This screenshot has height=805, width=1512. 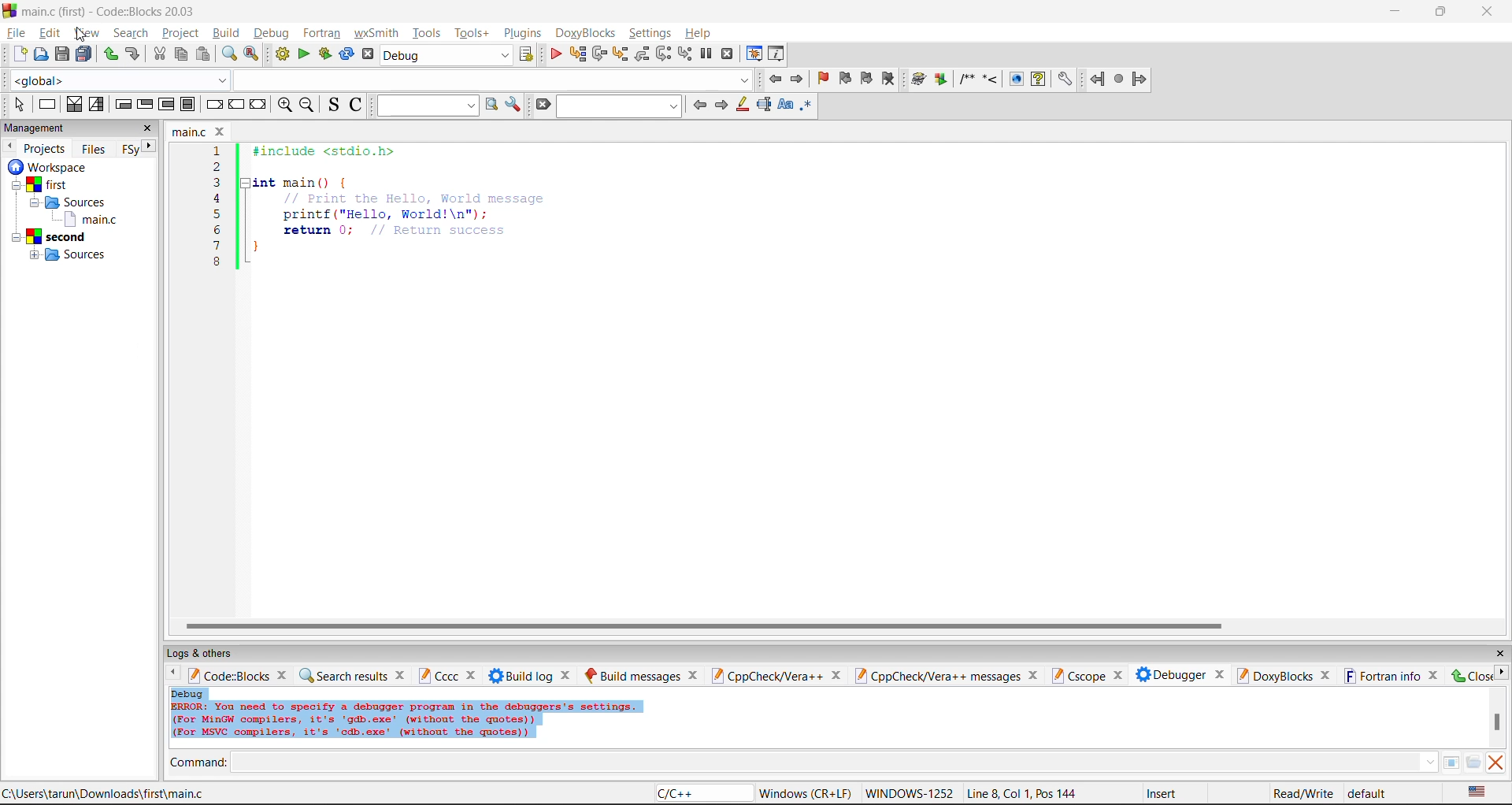 What do you see at coordinates (1014, 80) in the screenshot?
I see `web` at bounding box center [1014, 80].